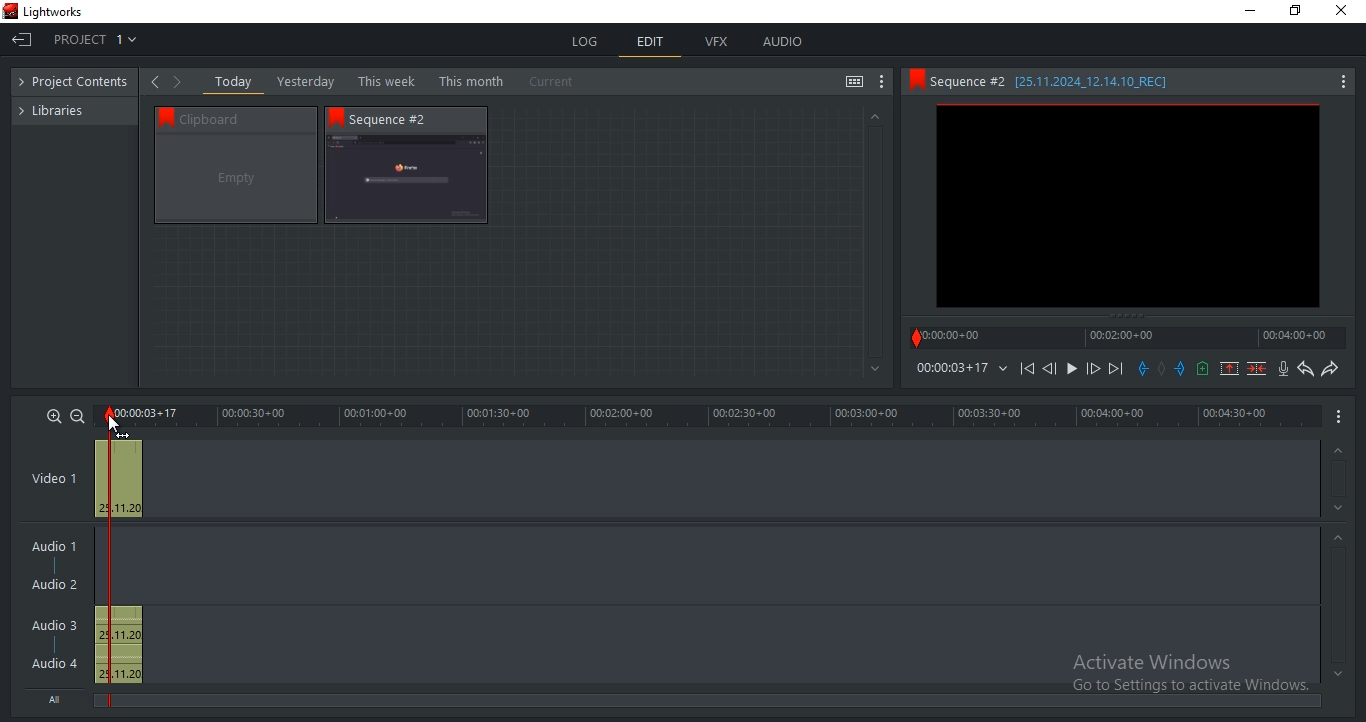 The image size is (1366, 722). I want to click on Bookmark icon, so click(336, 117).